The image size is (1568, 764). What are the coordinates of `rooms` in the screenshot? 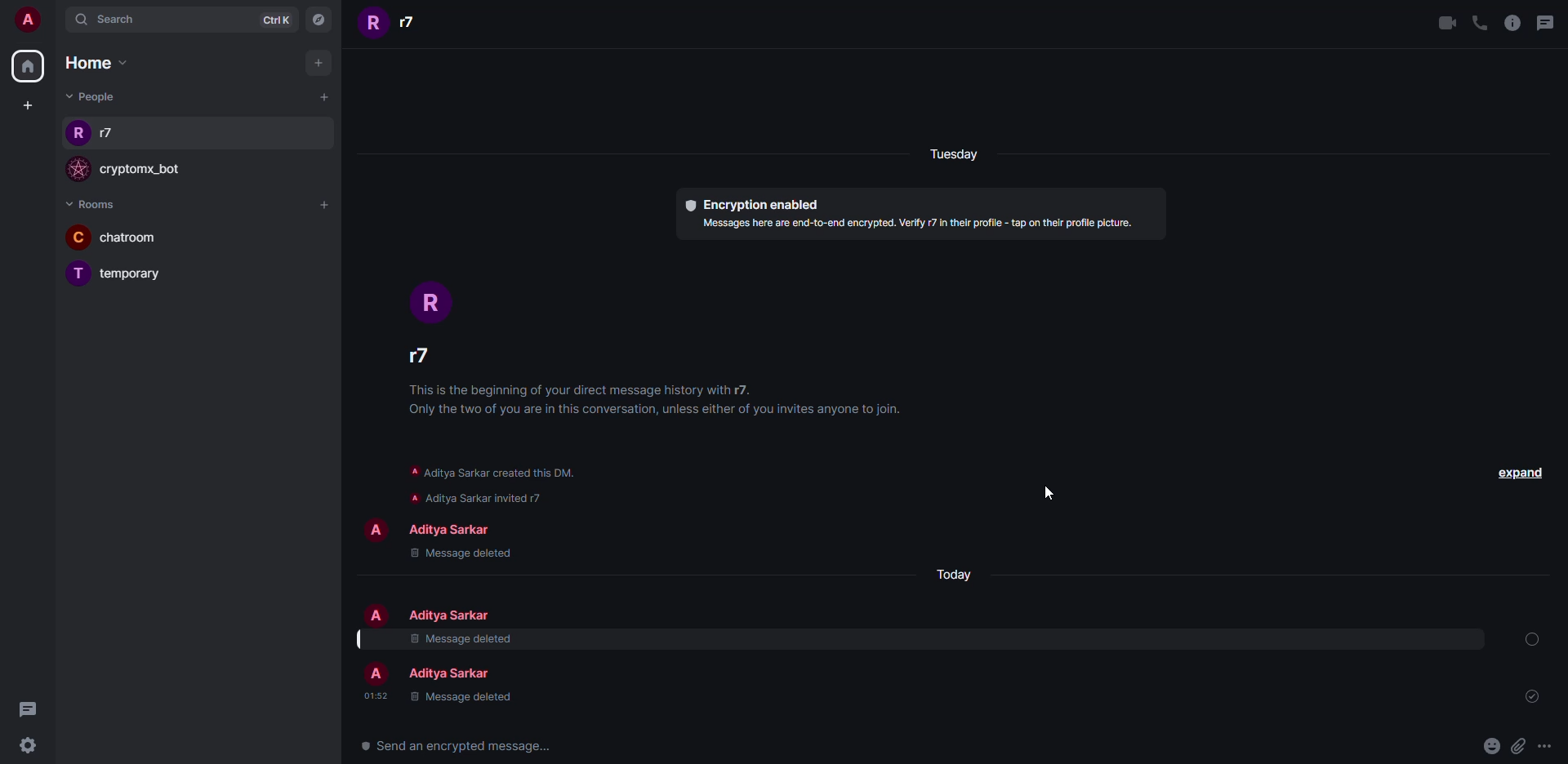 It's located at (90, 205).